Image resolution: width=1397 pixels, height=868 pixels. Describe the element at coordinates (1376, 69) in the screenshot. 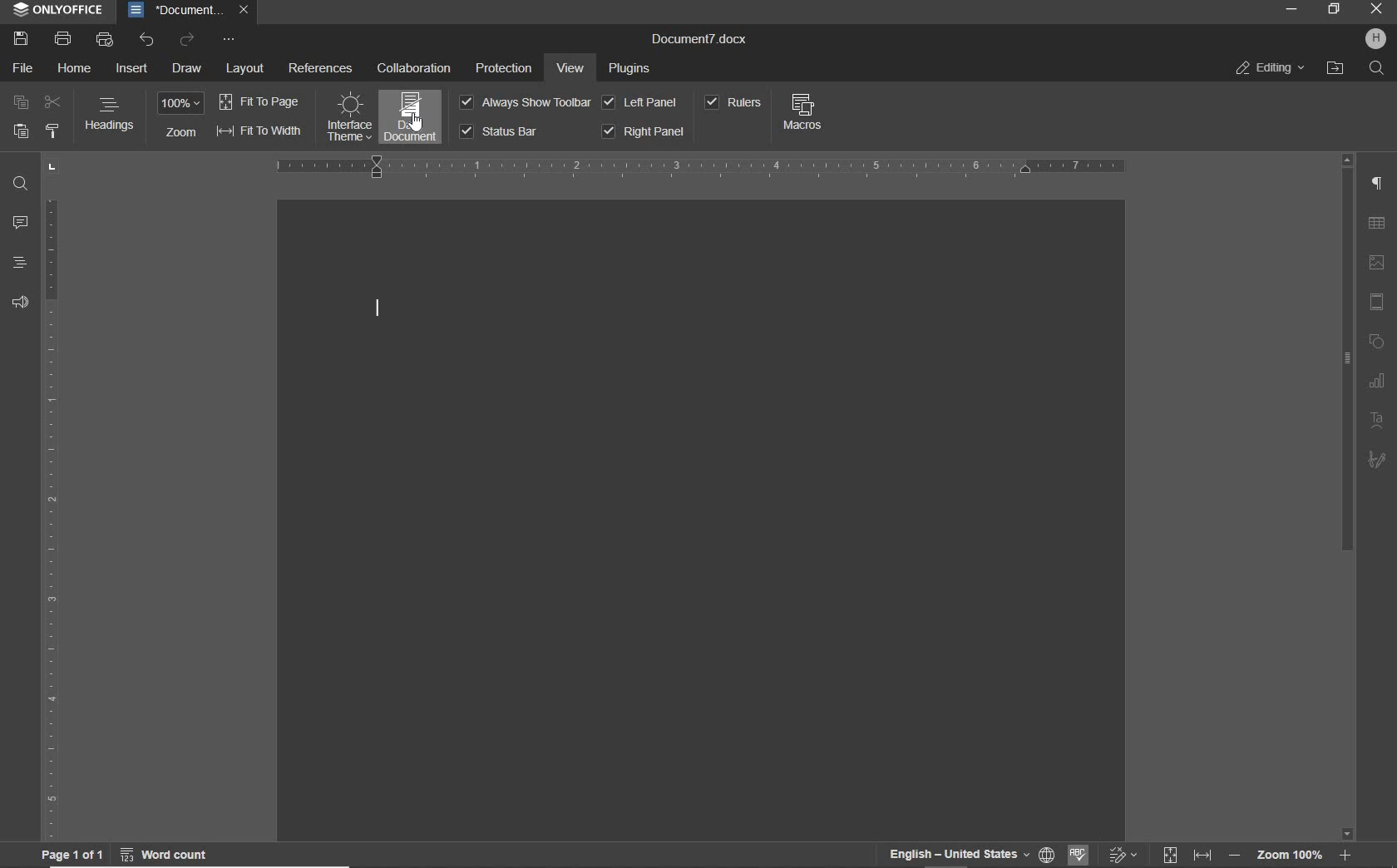

I see `FIND` at that location.